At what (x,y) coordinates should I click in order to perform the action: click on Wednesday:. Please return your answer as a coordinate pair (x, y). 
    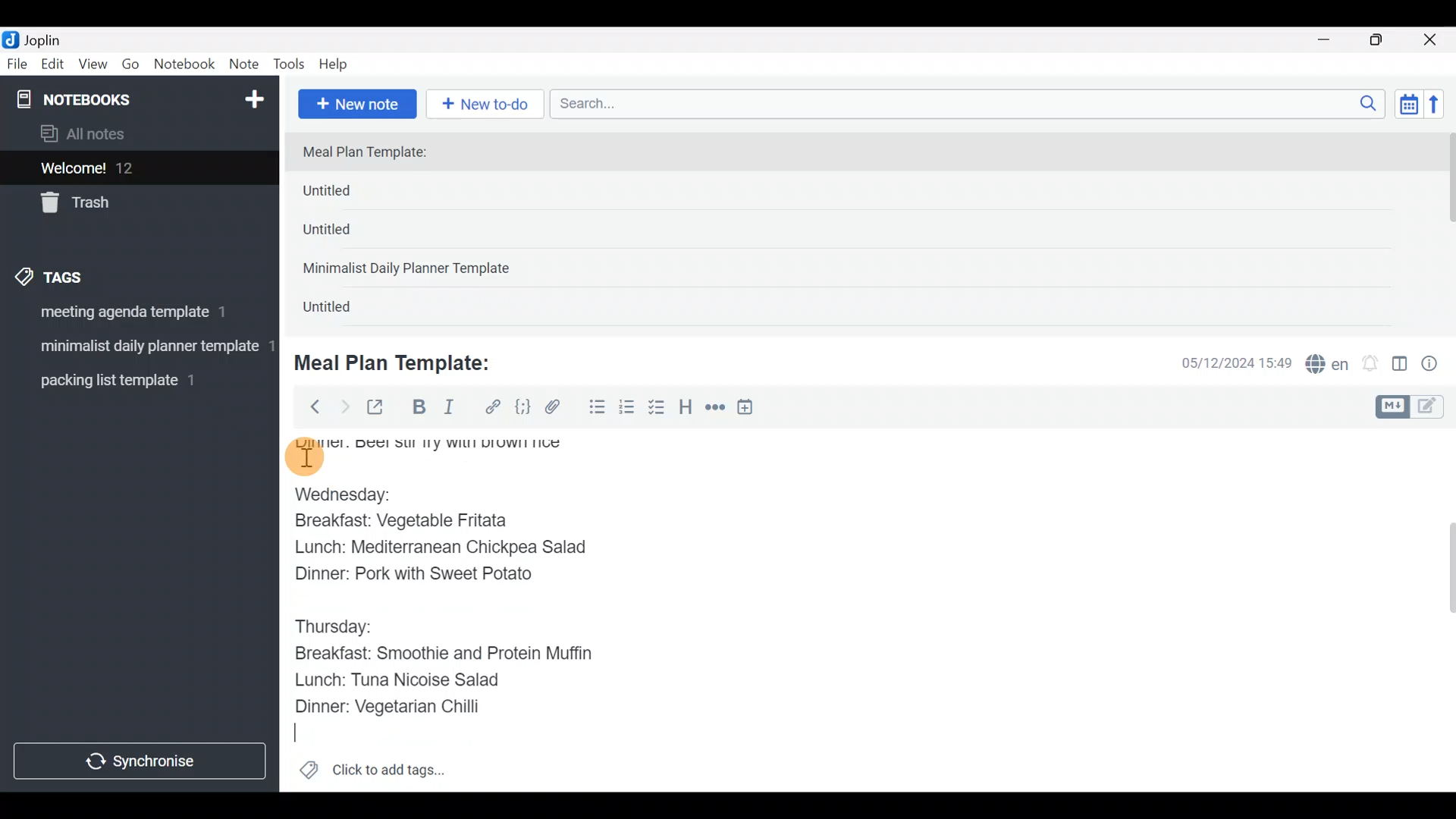
    Looking at the image, I should click on (343, 494).